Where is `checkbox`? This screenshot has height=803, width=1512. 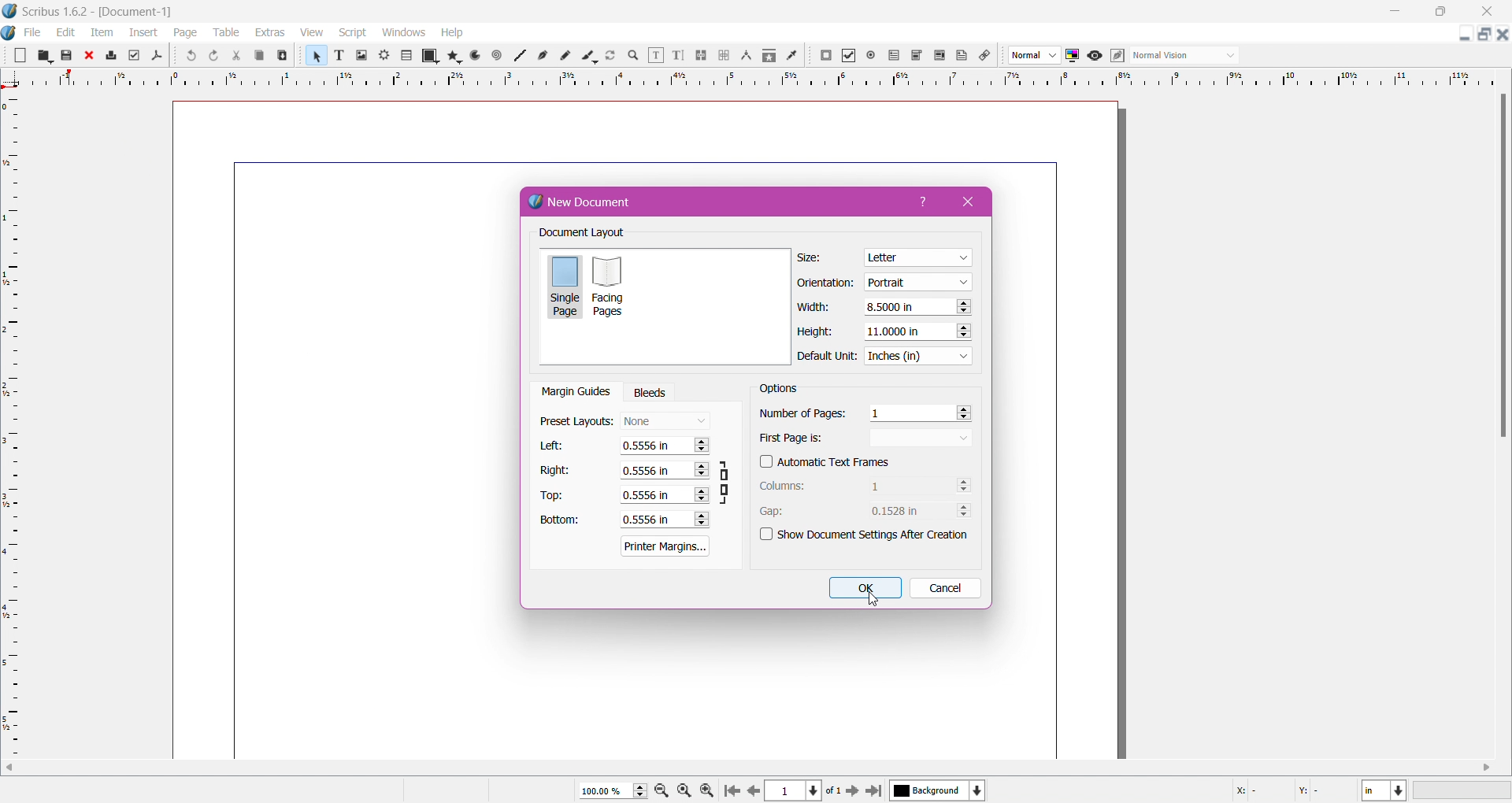
checkbox is located at coordinates (760, 463).